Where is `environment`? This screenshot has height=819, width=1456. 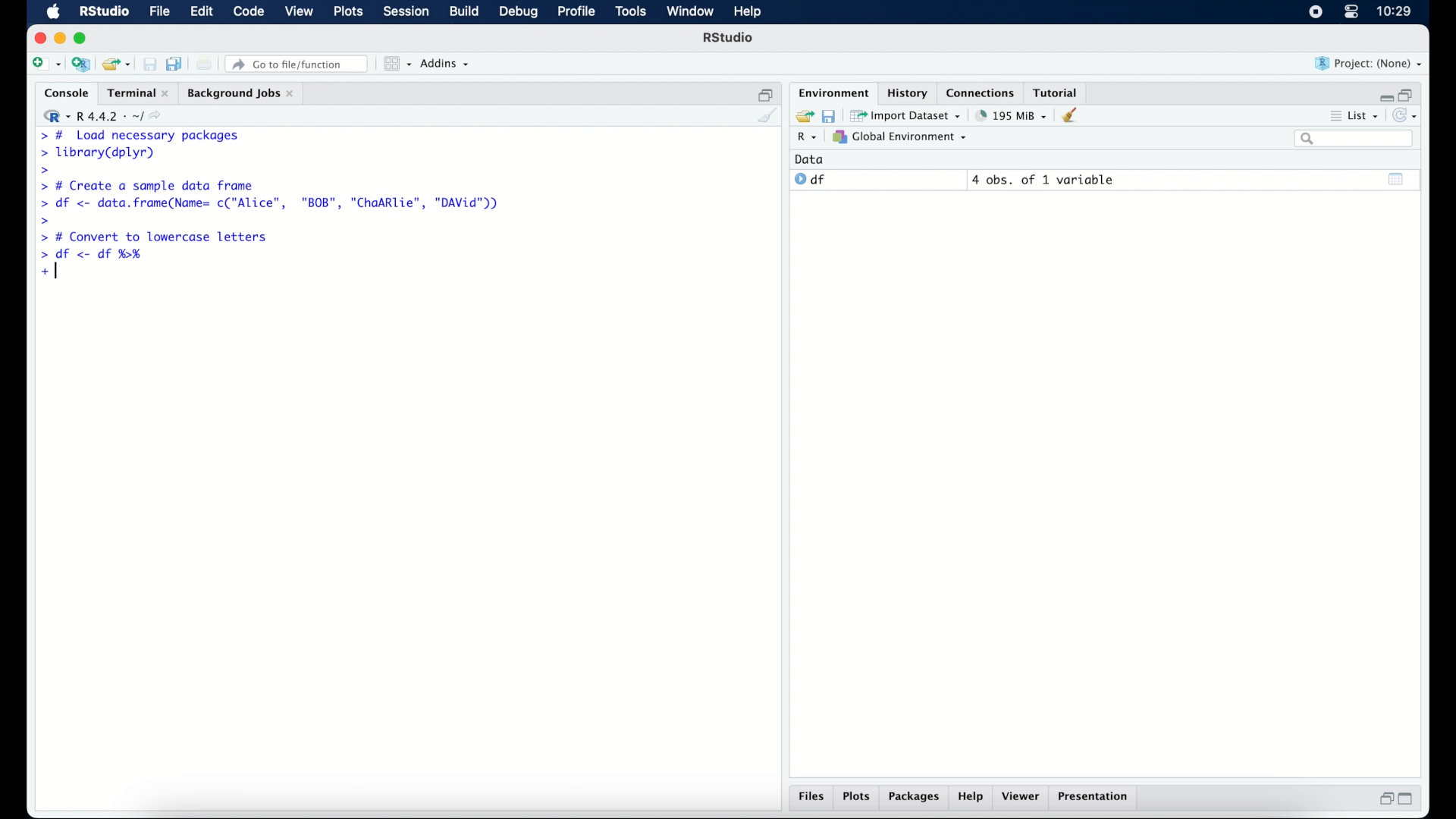
environment is located at coordinates (831, 92).